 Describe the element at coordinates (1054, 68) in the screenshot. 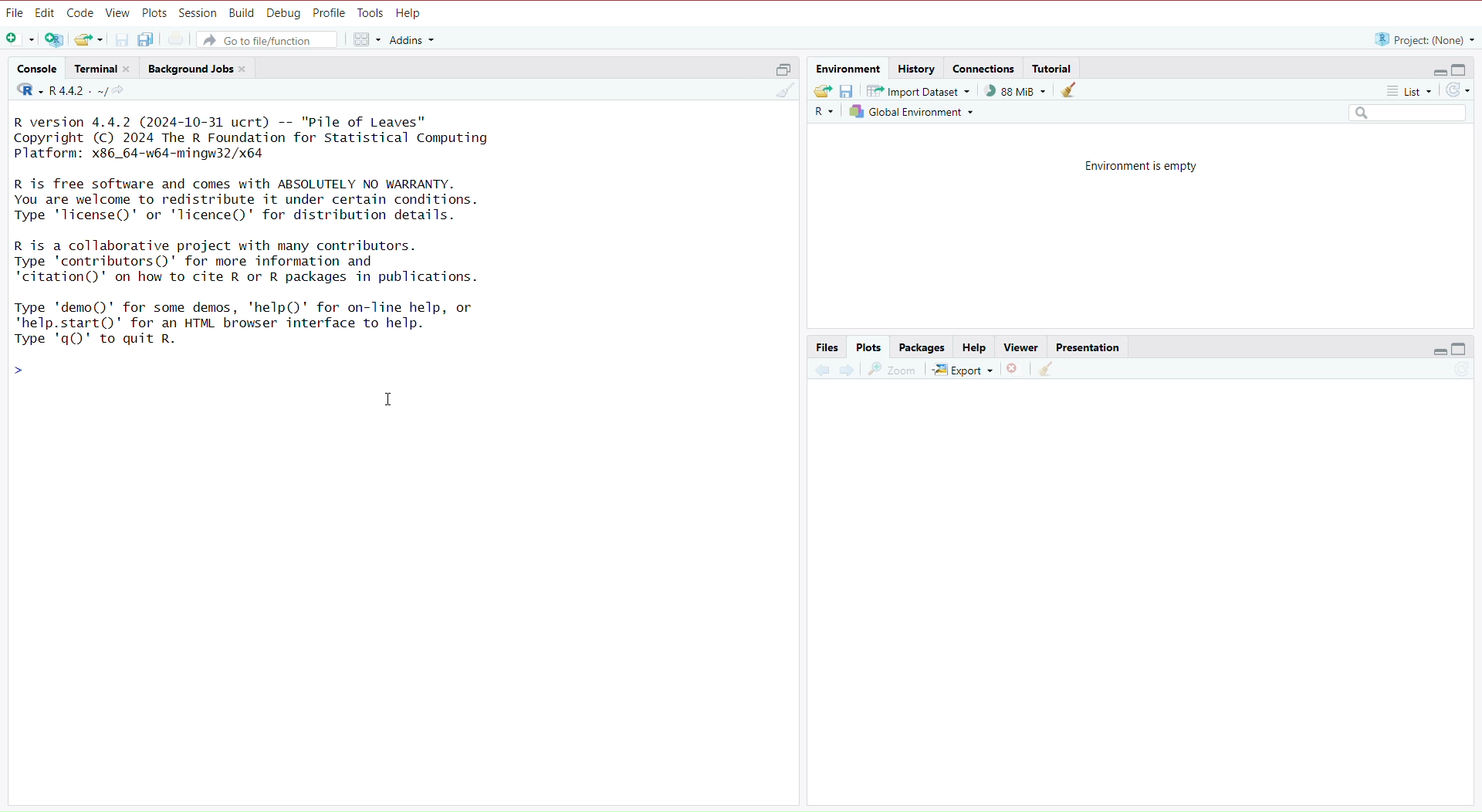

I see `tutorial` at that location.